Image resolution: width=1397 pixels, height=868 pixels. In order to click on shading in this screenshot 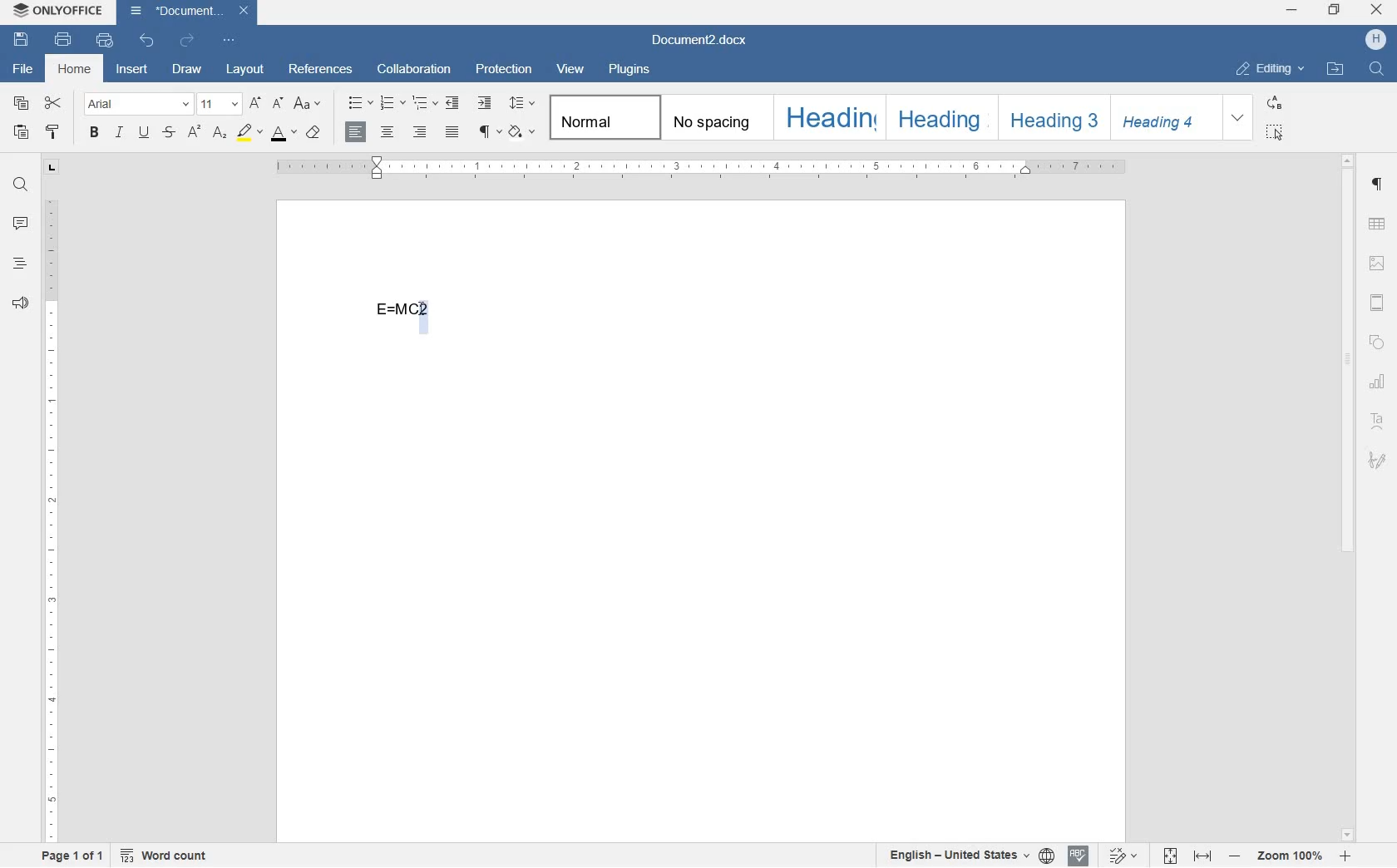, I will do `click(520, 132)`.